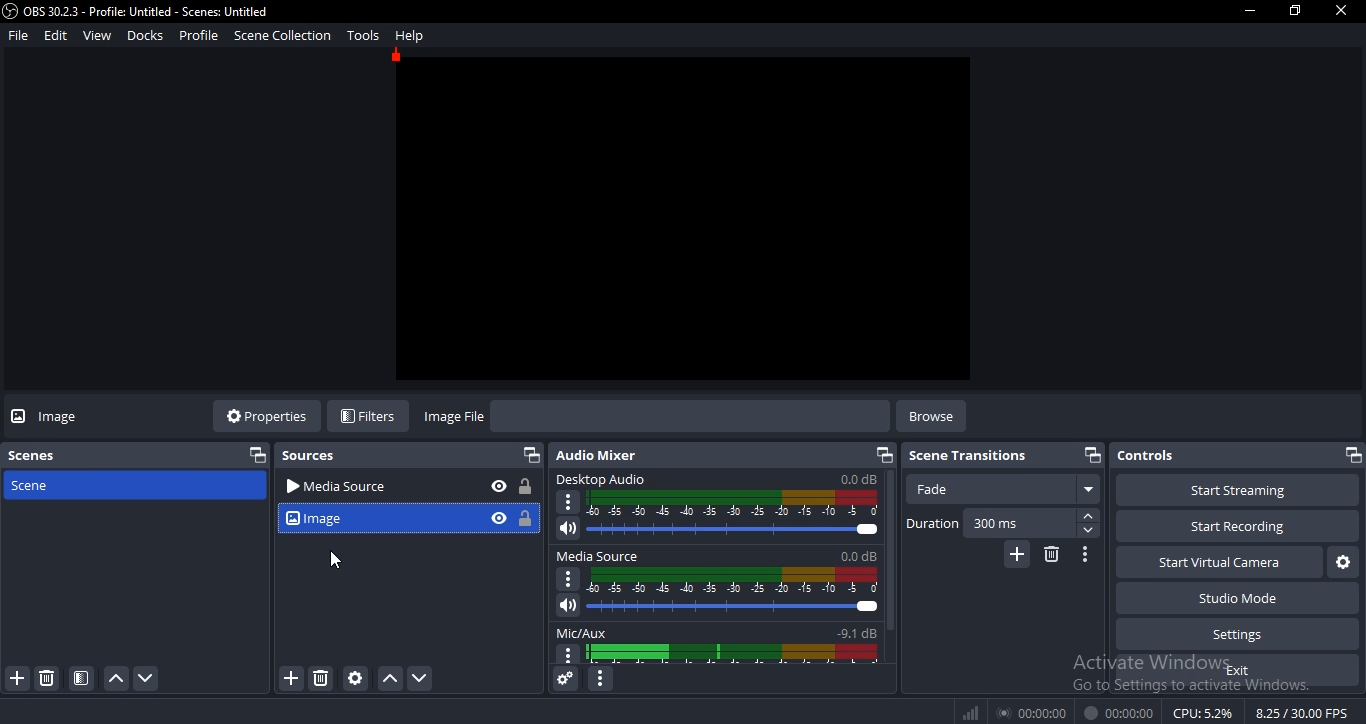 The height and width of the screenshot is (724, 1366). Describe the element at coordinates (418, 677) in the screenshot. I see `move down` at that location.